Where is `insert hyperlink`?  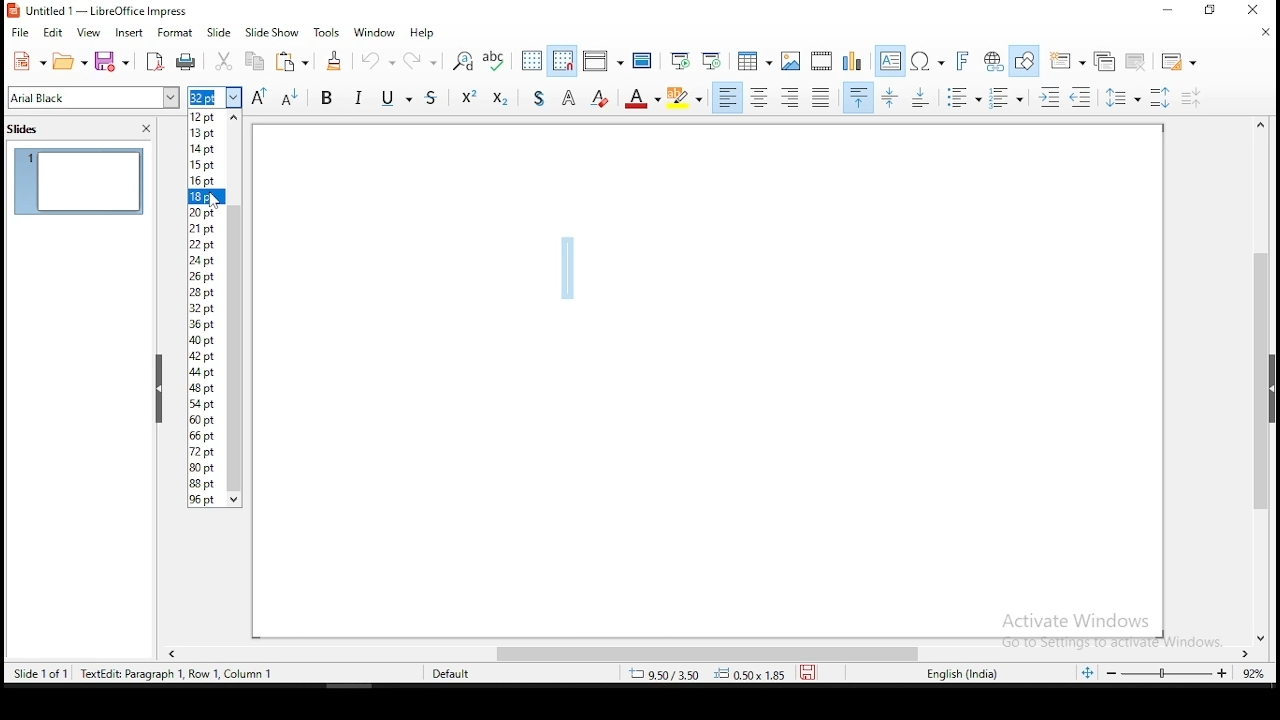
insert hyperlink is located at coordinates (991, 59).